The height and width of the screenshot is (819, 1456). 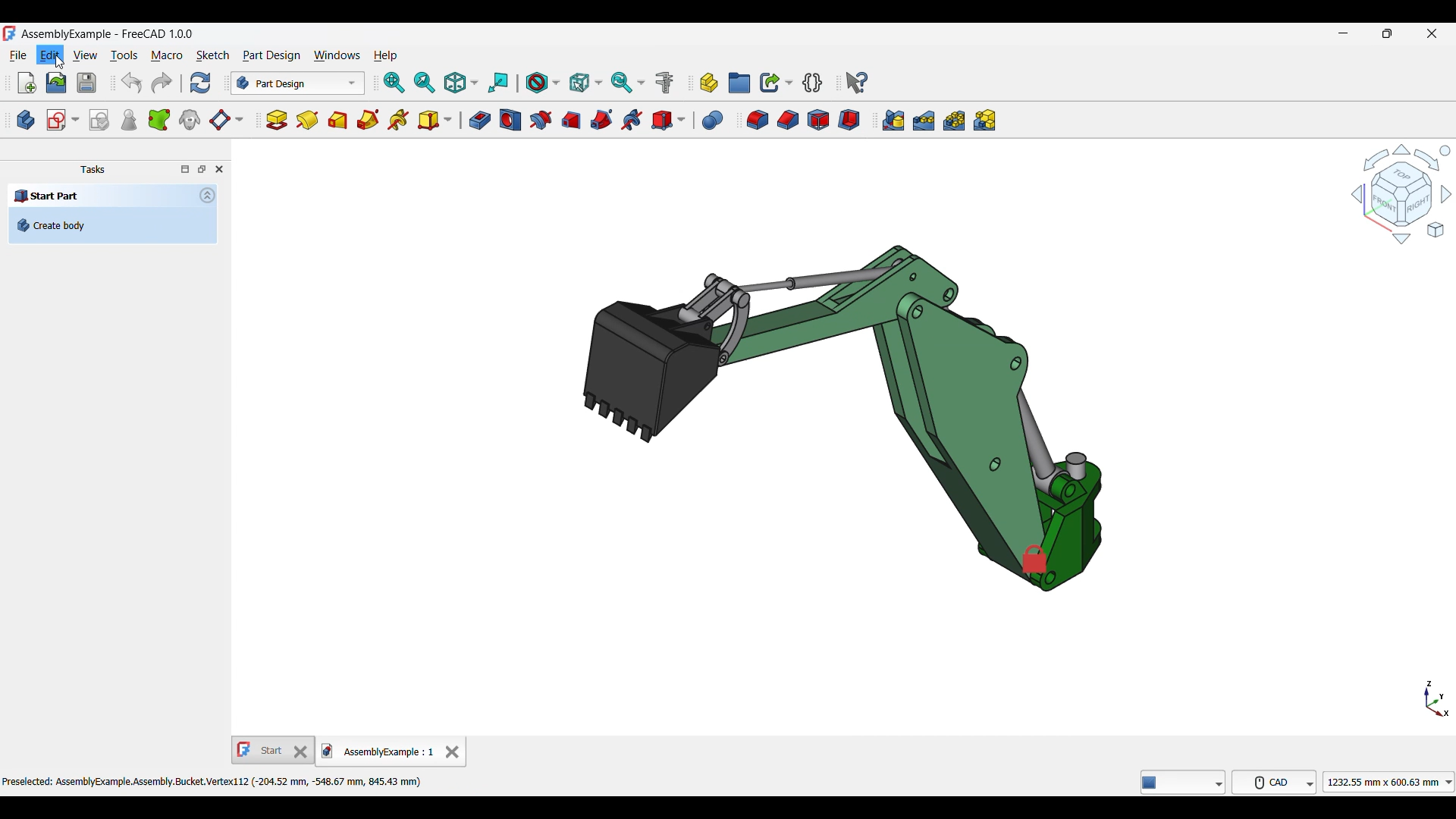 What do you see at coordinates (1277, 781) in the screenshot?
I see `CAD` at bounding box center [1277, 781].